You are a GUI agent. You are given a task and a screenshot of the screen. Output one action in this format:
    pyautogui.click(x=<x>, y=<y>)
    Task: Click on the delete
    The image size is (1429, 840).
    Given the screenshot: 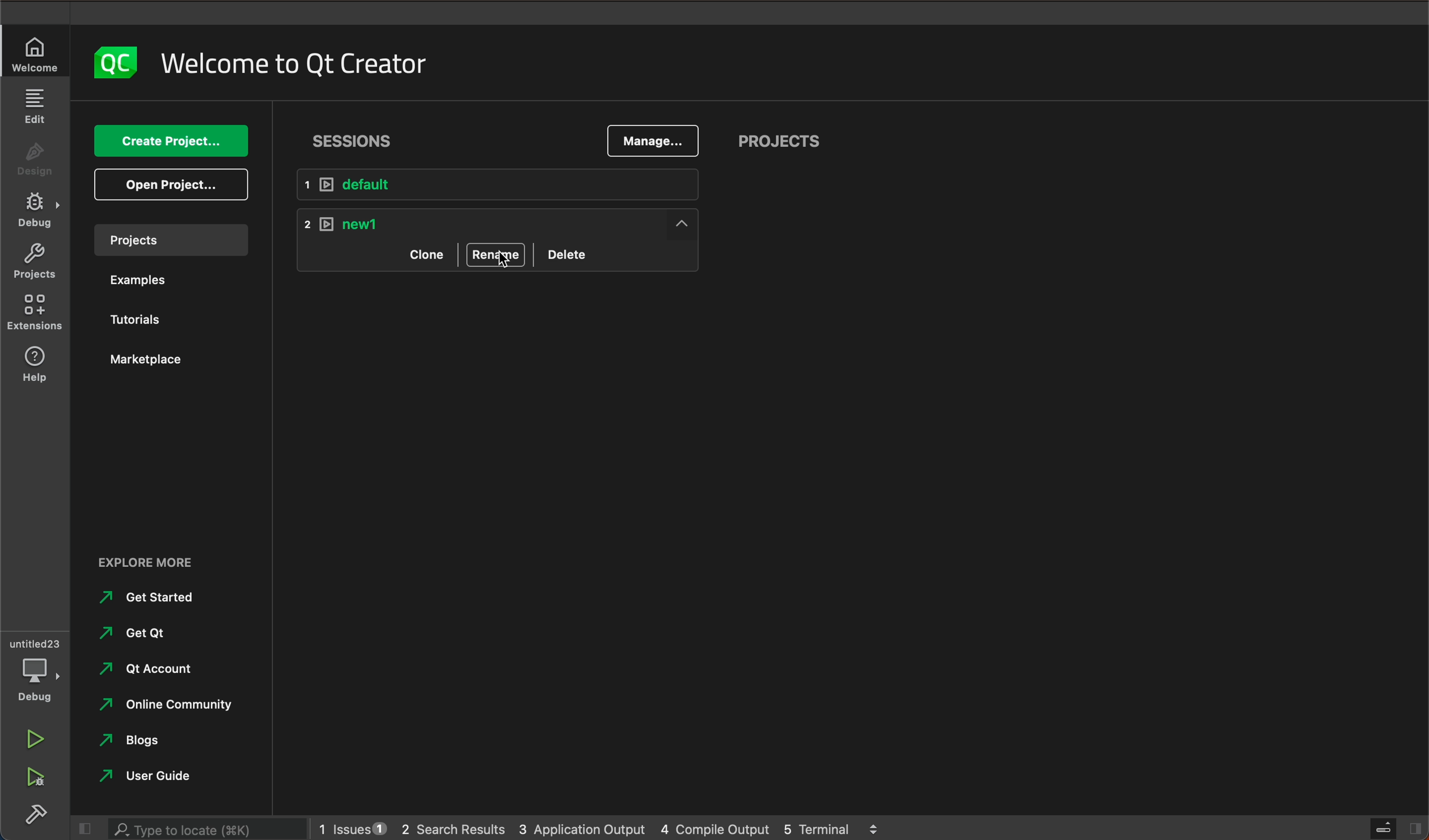 What is the action you would take?
    pyautogui.click(x=570, y=252)
    